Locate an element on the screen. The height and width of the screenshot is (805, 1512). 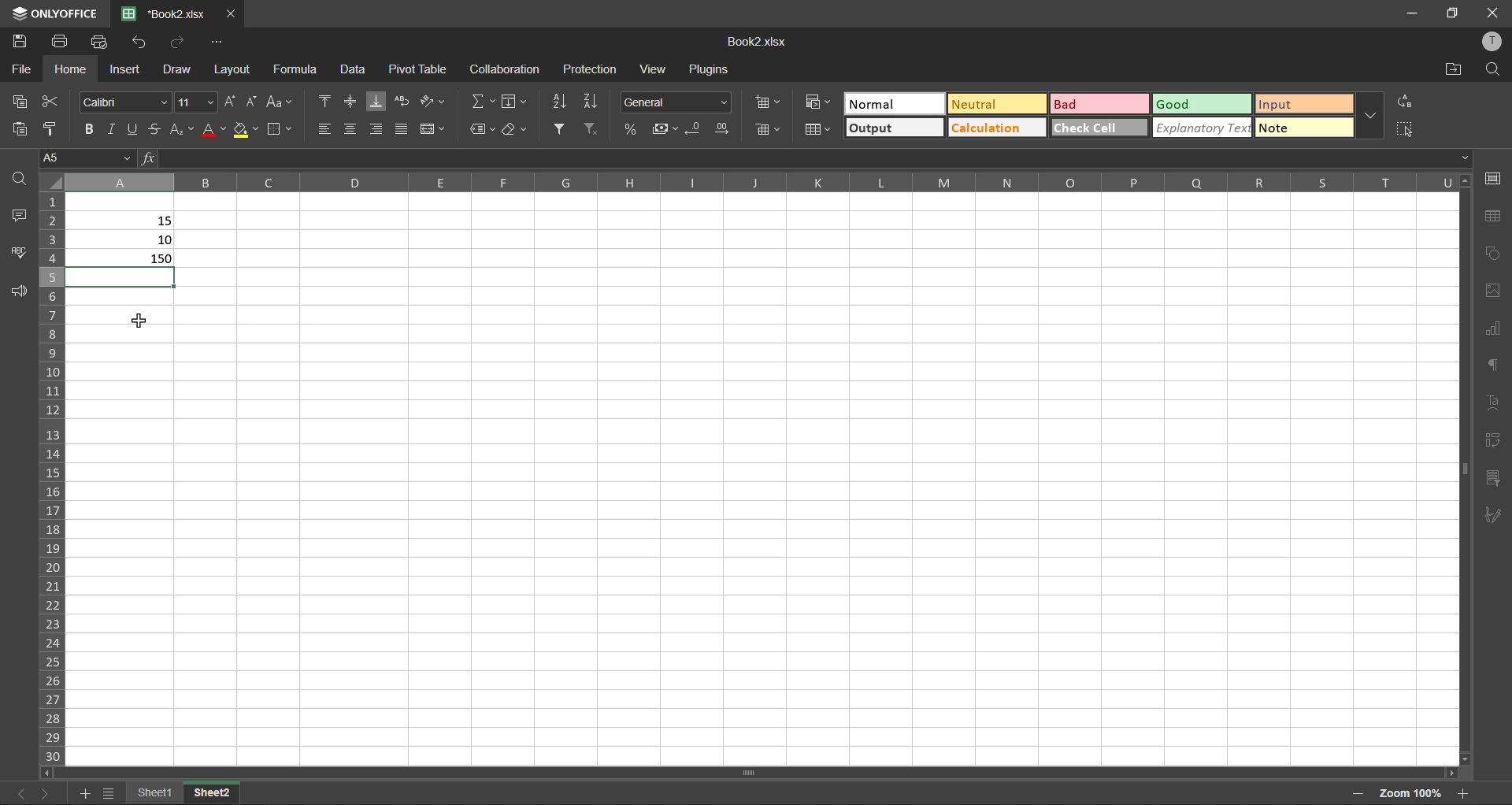
fontstyle is located at coordinates (123, 100).